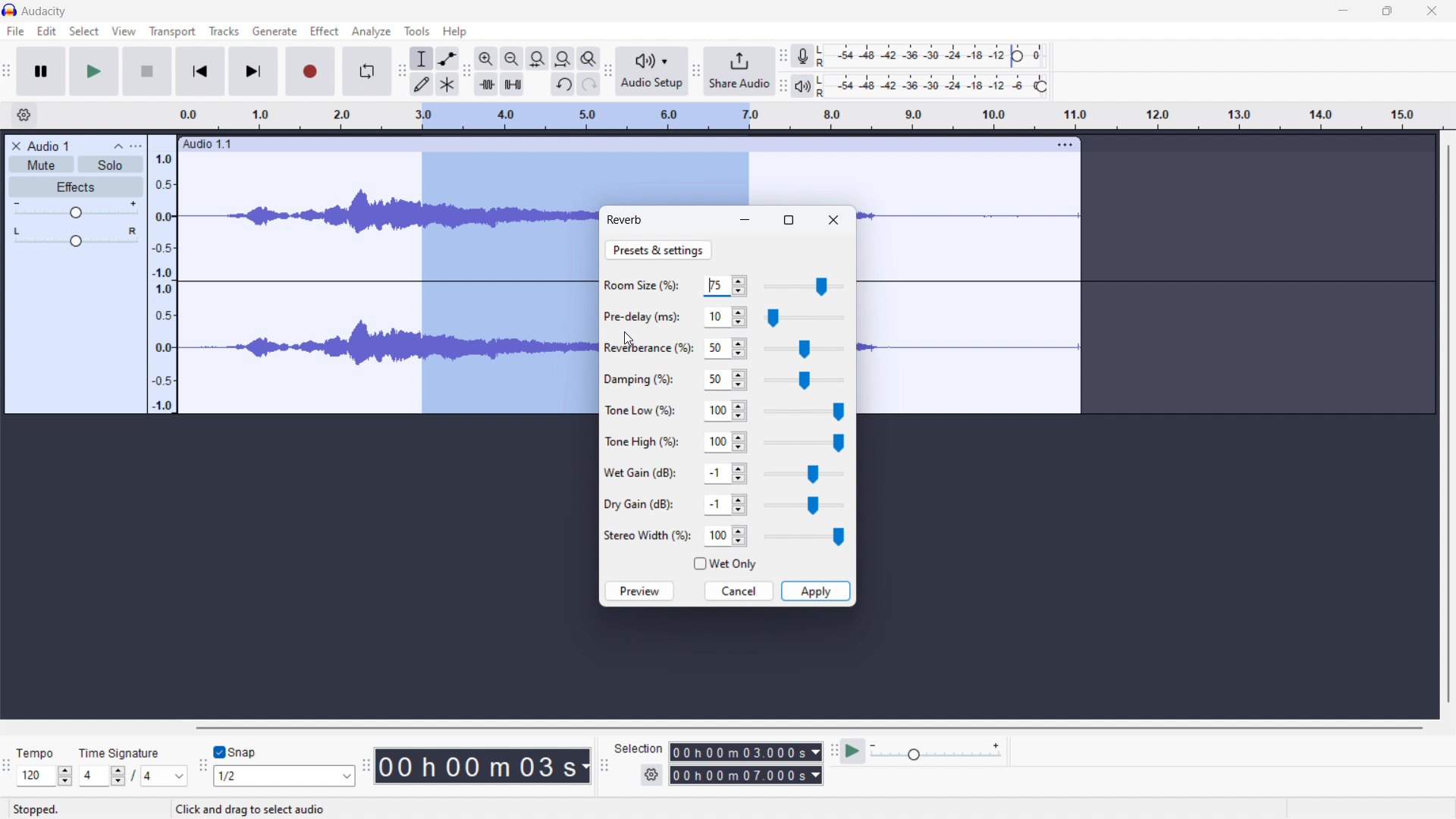  What do you see at coordinates (726, 504) in the screenshot?
I see `-1` at bounding box center [726, 504].